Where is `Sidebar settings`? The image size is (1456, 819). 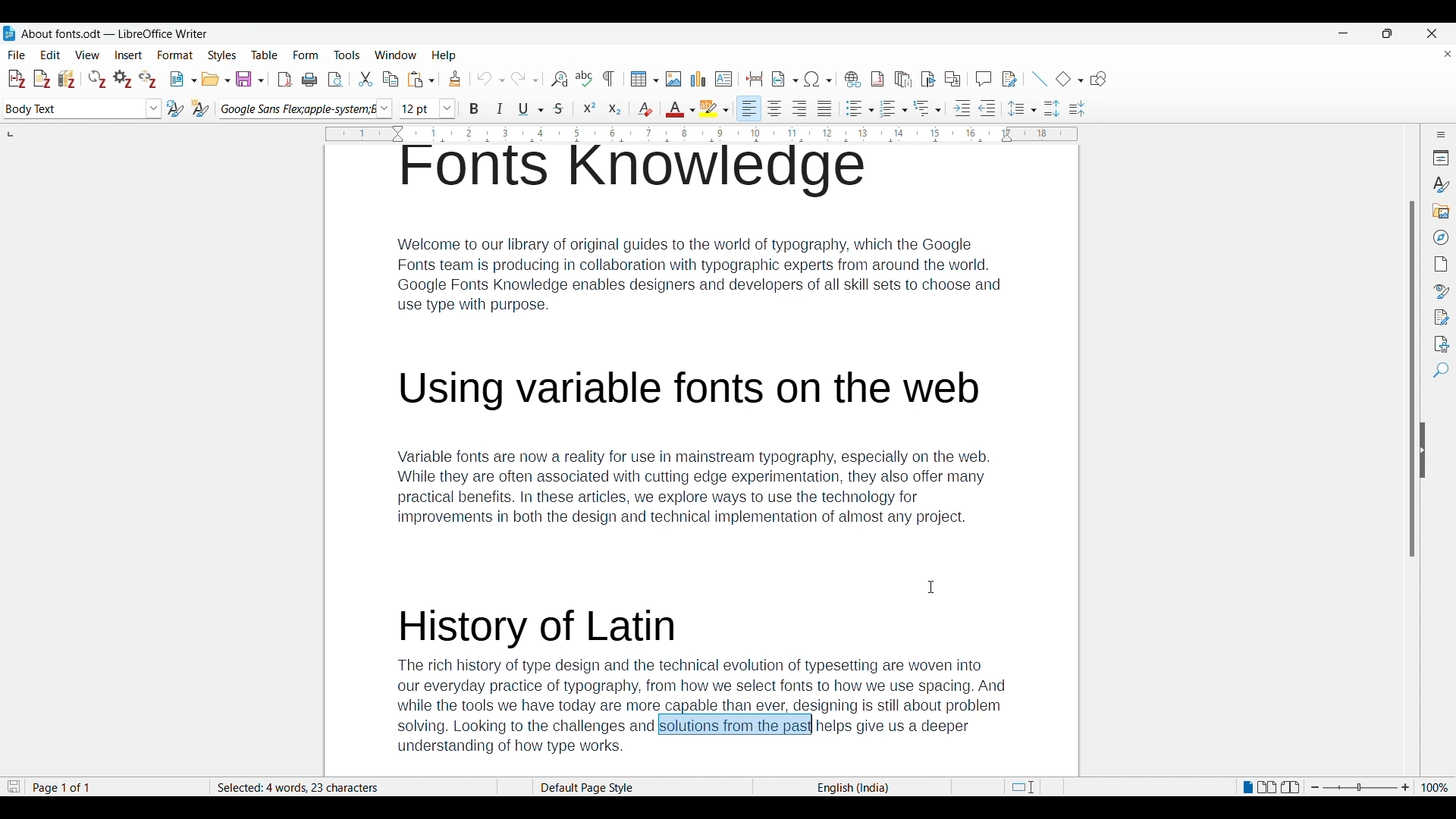
Sidebar settings is located at coordinates (1441, 134).